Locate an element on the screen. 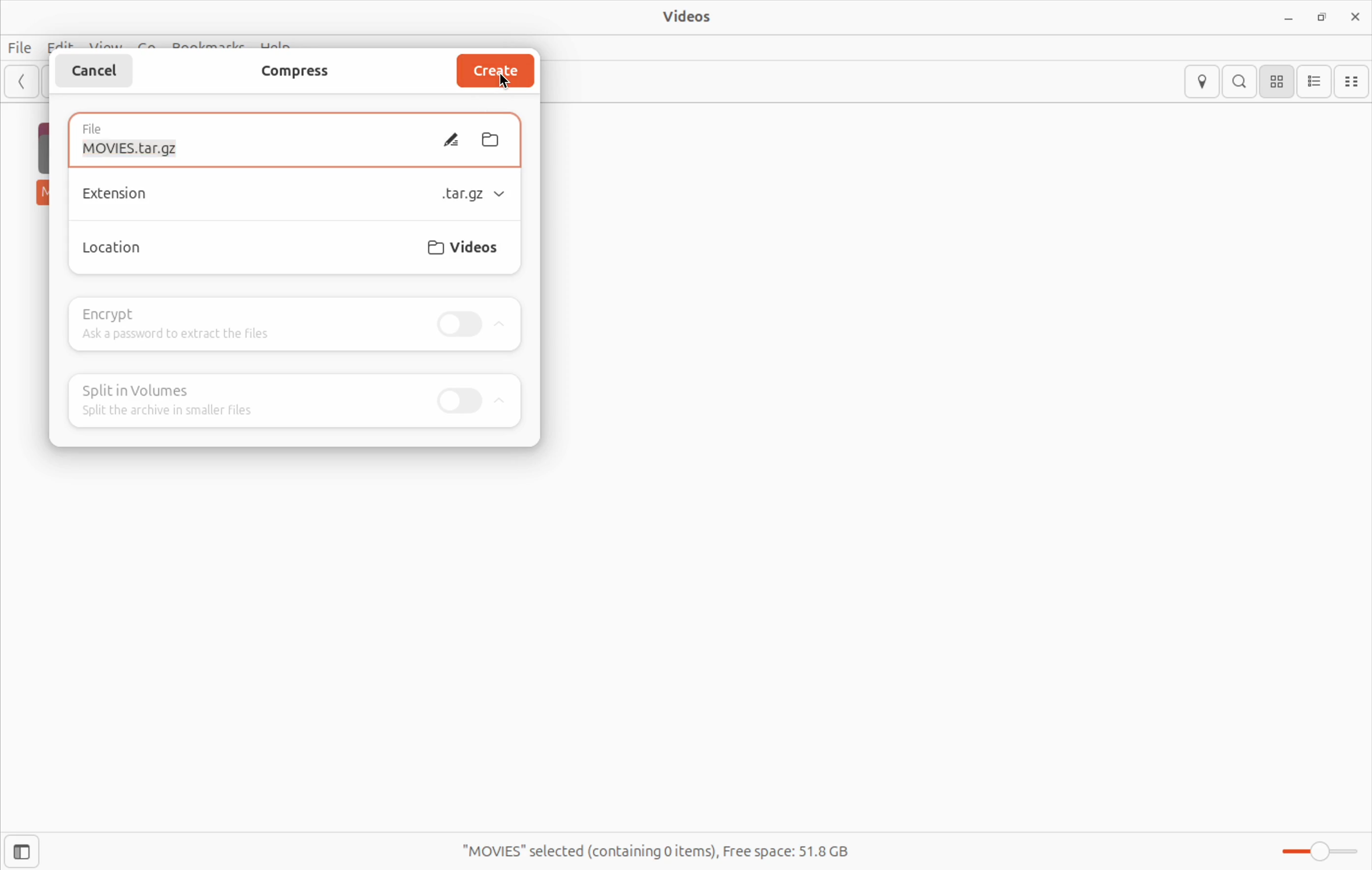 The image size is (1372, 870). toggle zoom bar is located at coordinates (1313, 849).